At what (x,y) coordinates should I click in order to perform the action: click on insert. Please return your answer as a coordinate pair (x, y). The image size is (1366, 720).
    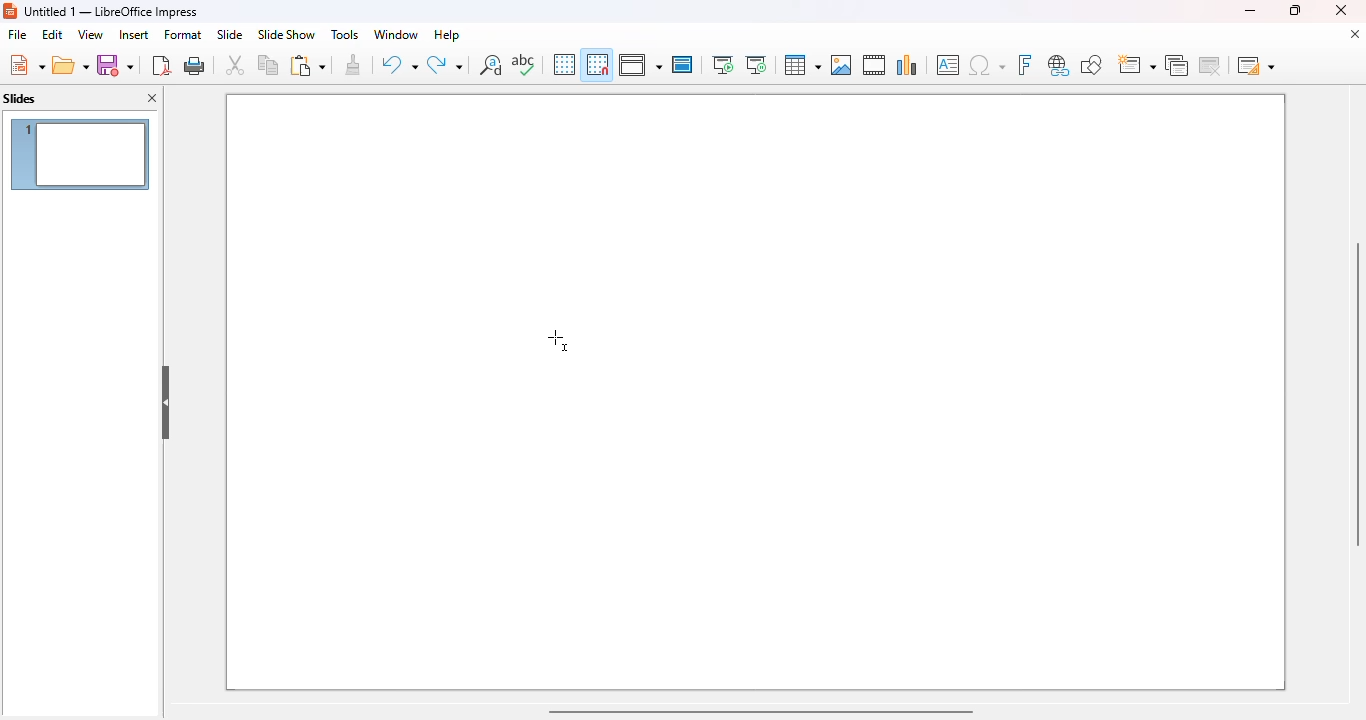
    Looking at the image, I should click on (134, 35).